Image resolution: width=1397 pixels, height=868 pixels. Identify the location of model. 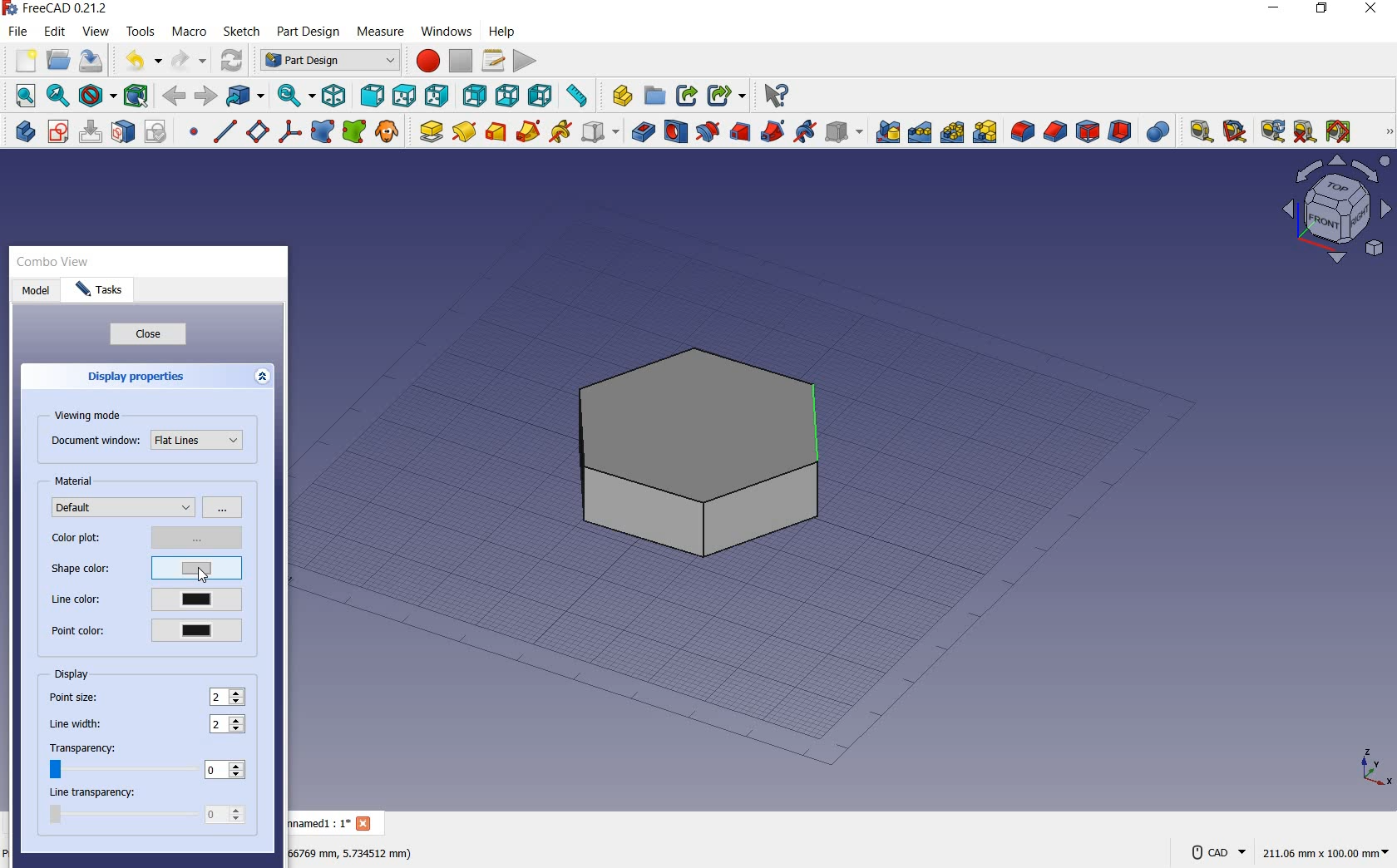
(37, 291).